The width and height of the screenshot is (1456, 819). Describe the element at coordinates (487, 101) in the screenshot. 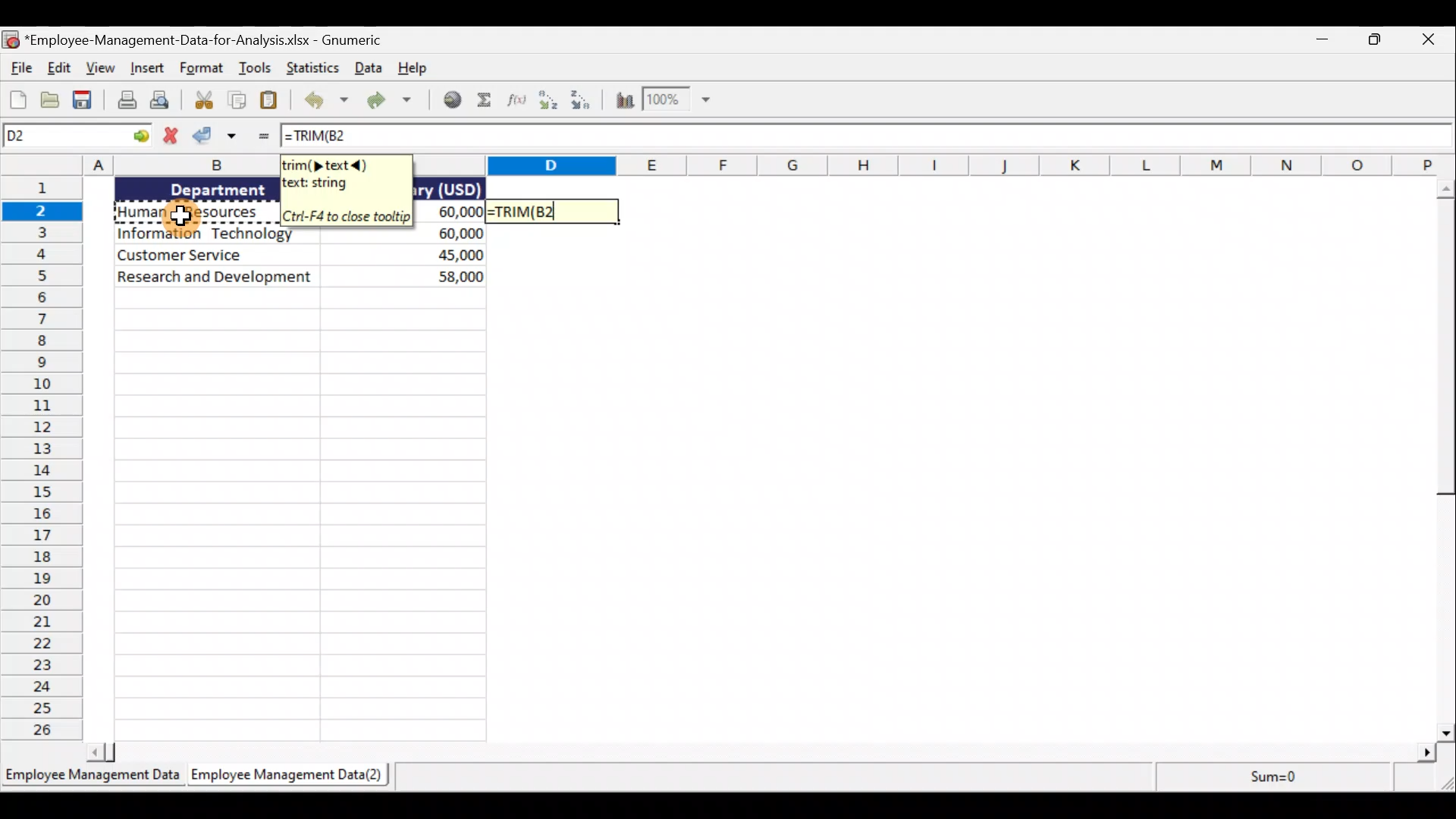

I see `Sum into the current cell` at that location.